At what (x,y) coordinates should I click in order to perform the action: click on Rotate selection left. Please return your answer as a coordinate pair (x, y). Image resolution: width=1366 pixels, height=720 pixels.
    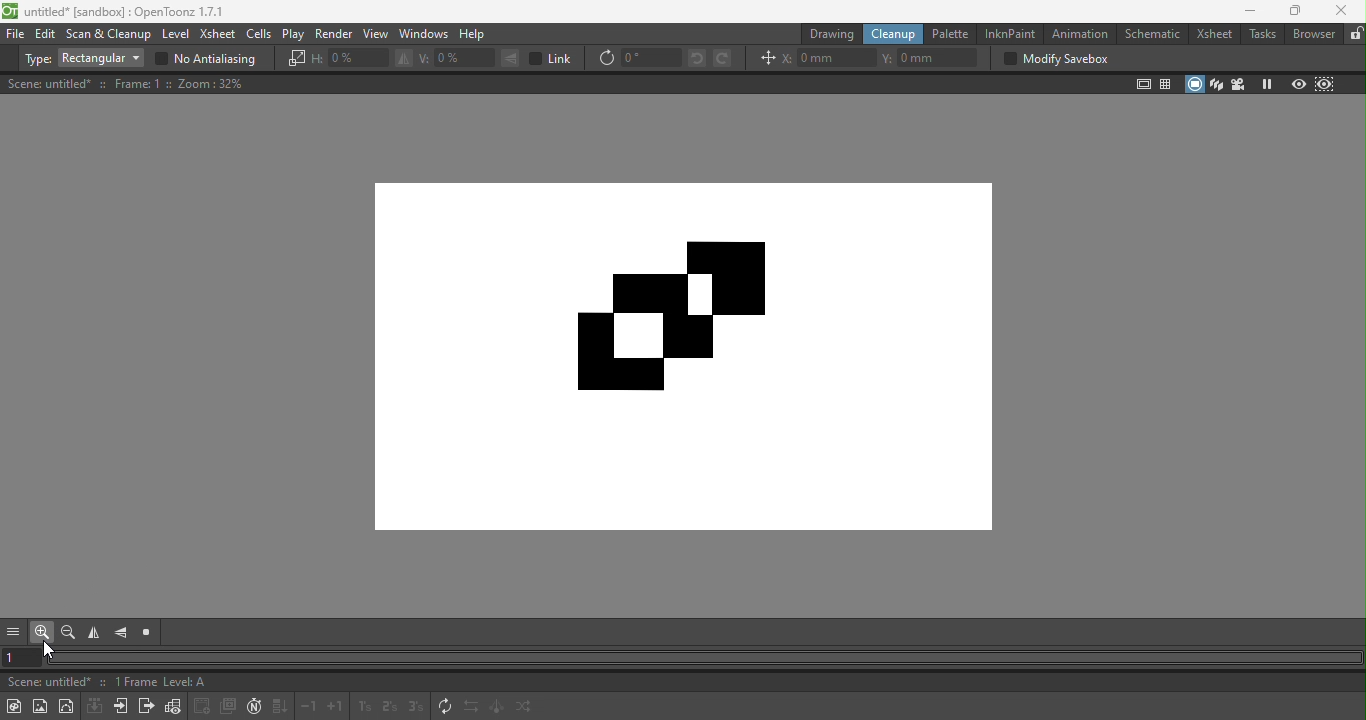
    Looking at the image, I should click on (696, 60).